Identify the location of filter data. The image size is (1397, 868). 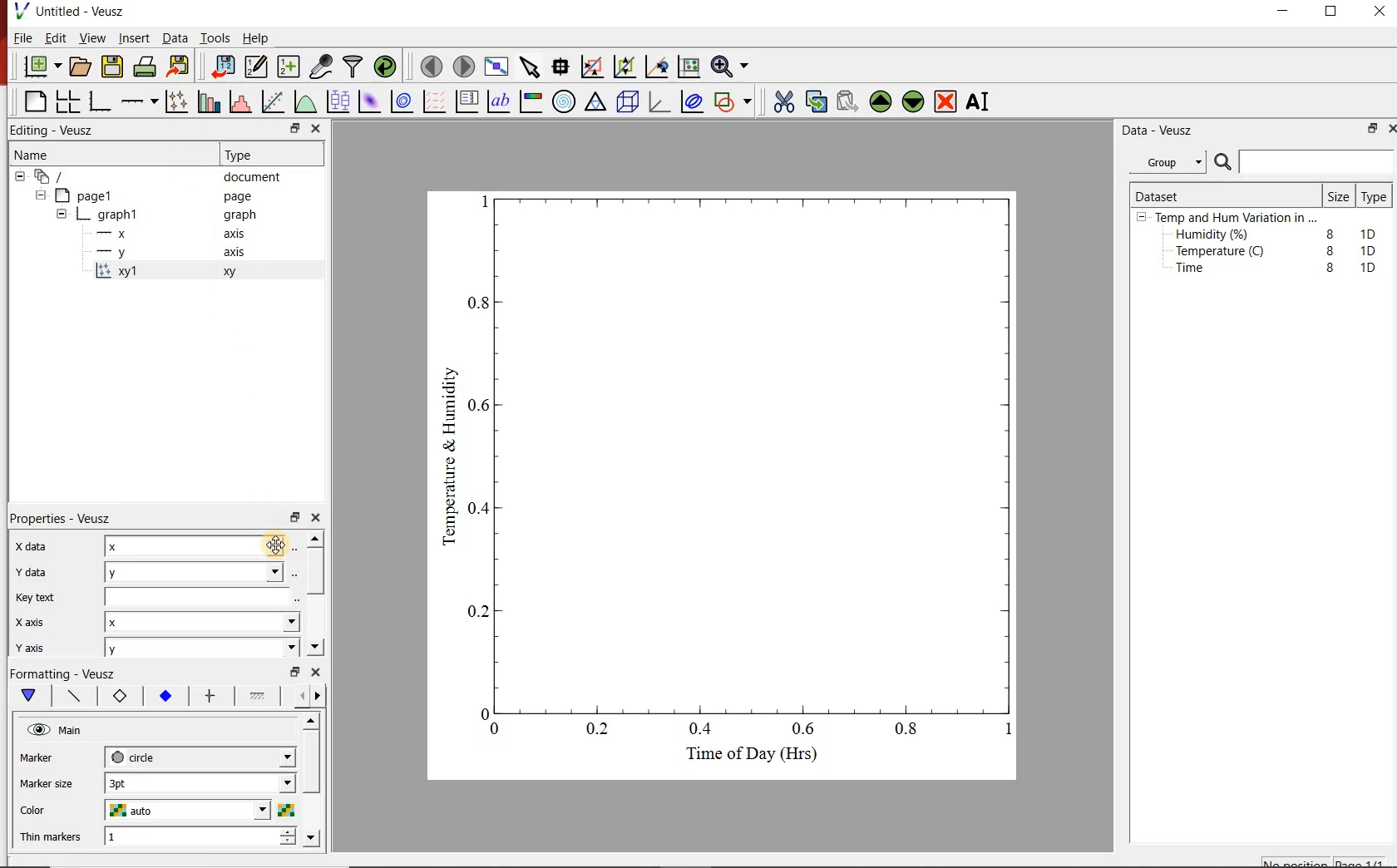
(353, 67).